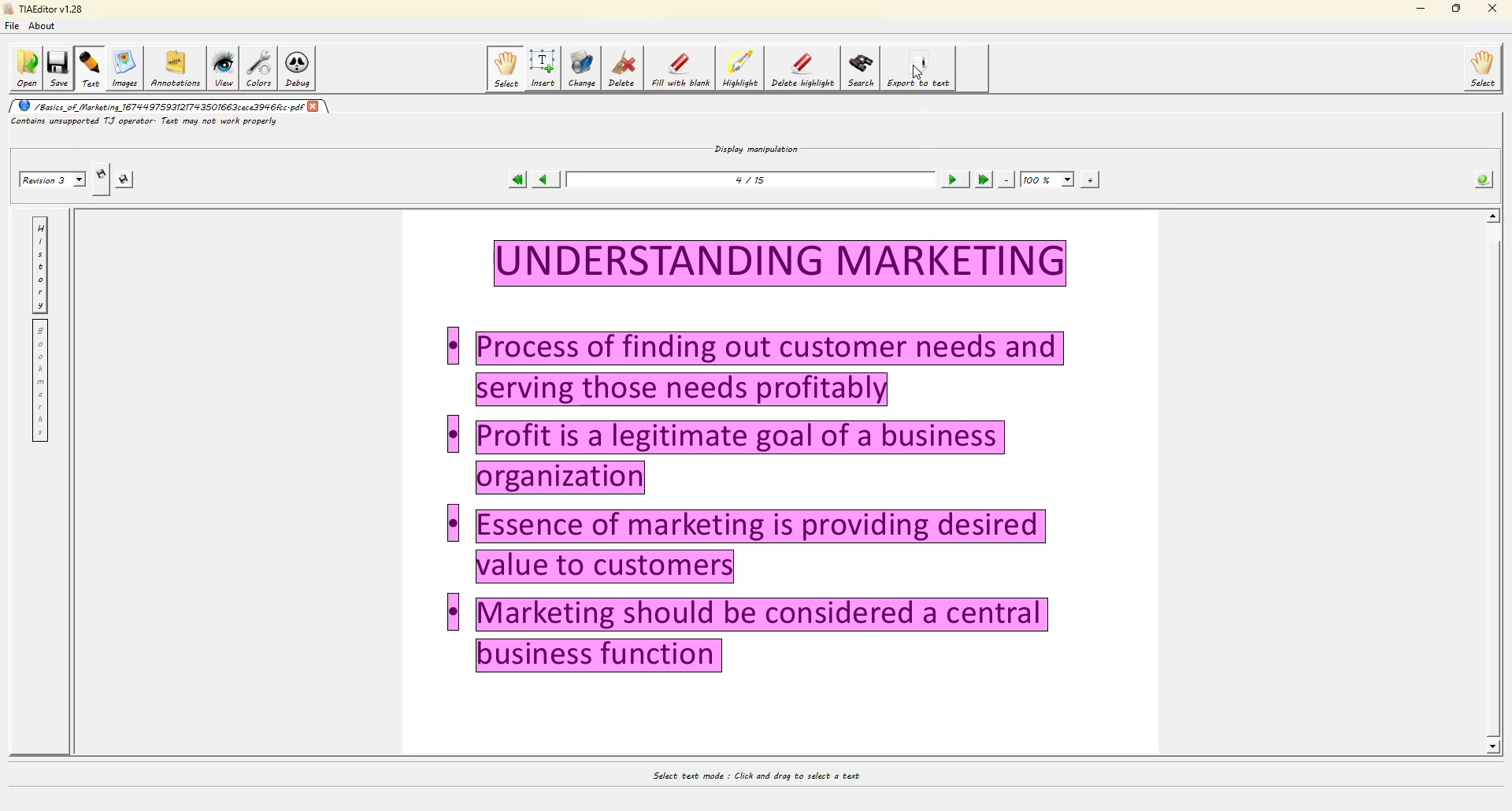 The image size is (1512, 811). What do you see at coordinates (916, 74) in the screenshot?
I see `cursor` at bounding box center [916, 74].